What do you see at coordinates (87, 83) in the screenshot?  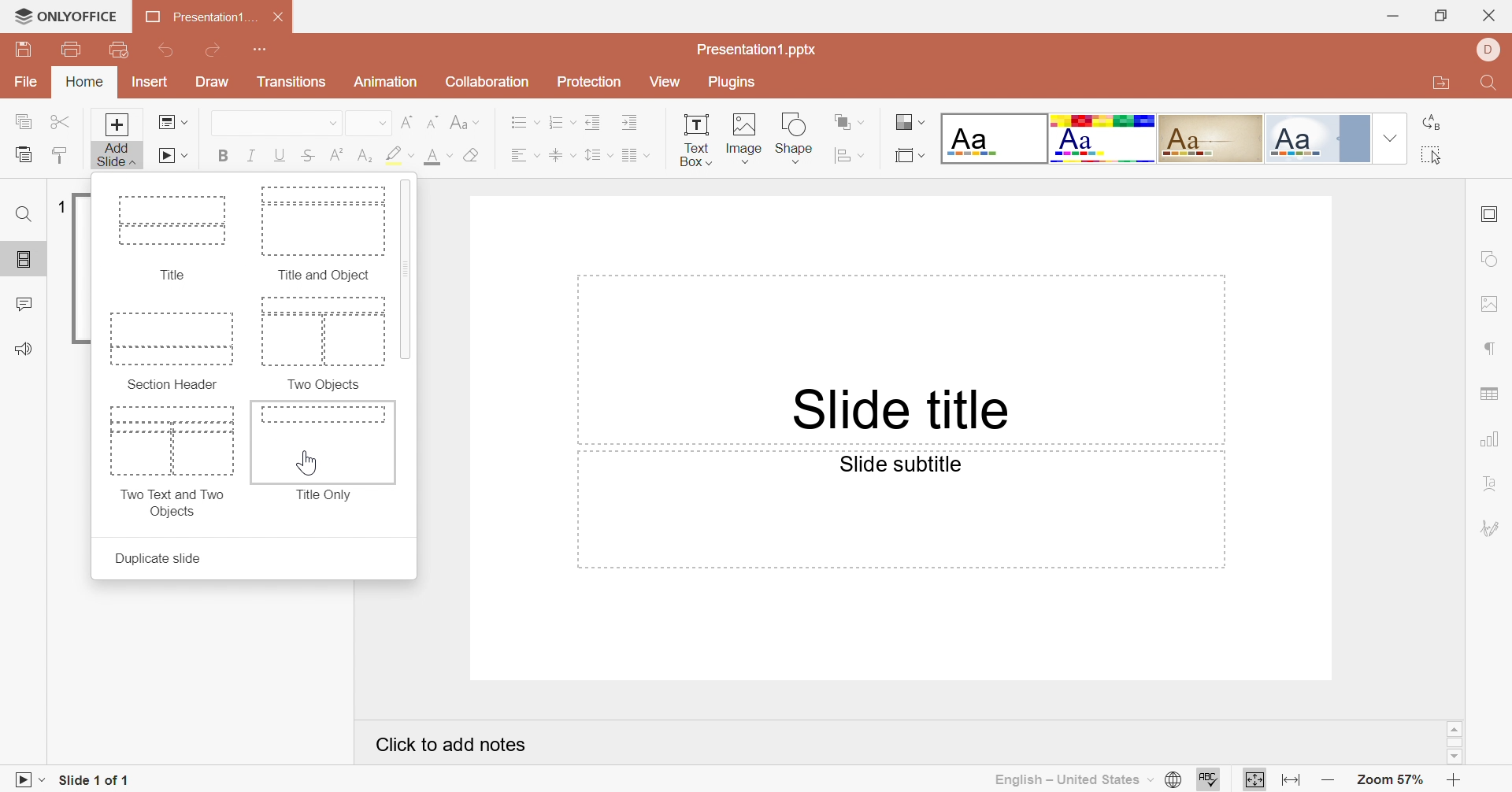 I see `Home` at bounding box center [87, 83].